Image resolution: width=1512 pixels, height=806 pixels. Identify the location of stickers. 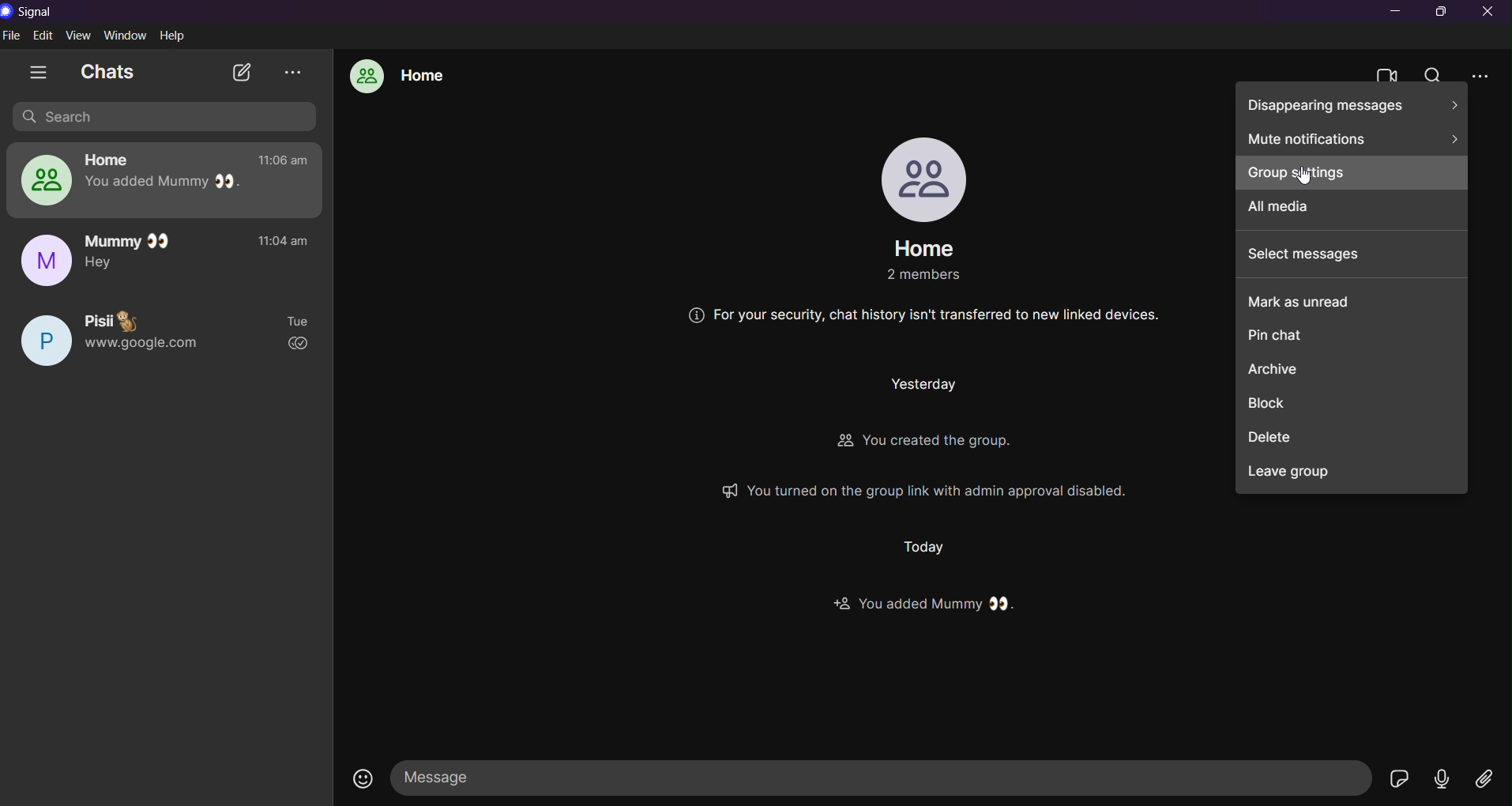
(1399, 779).